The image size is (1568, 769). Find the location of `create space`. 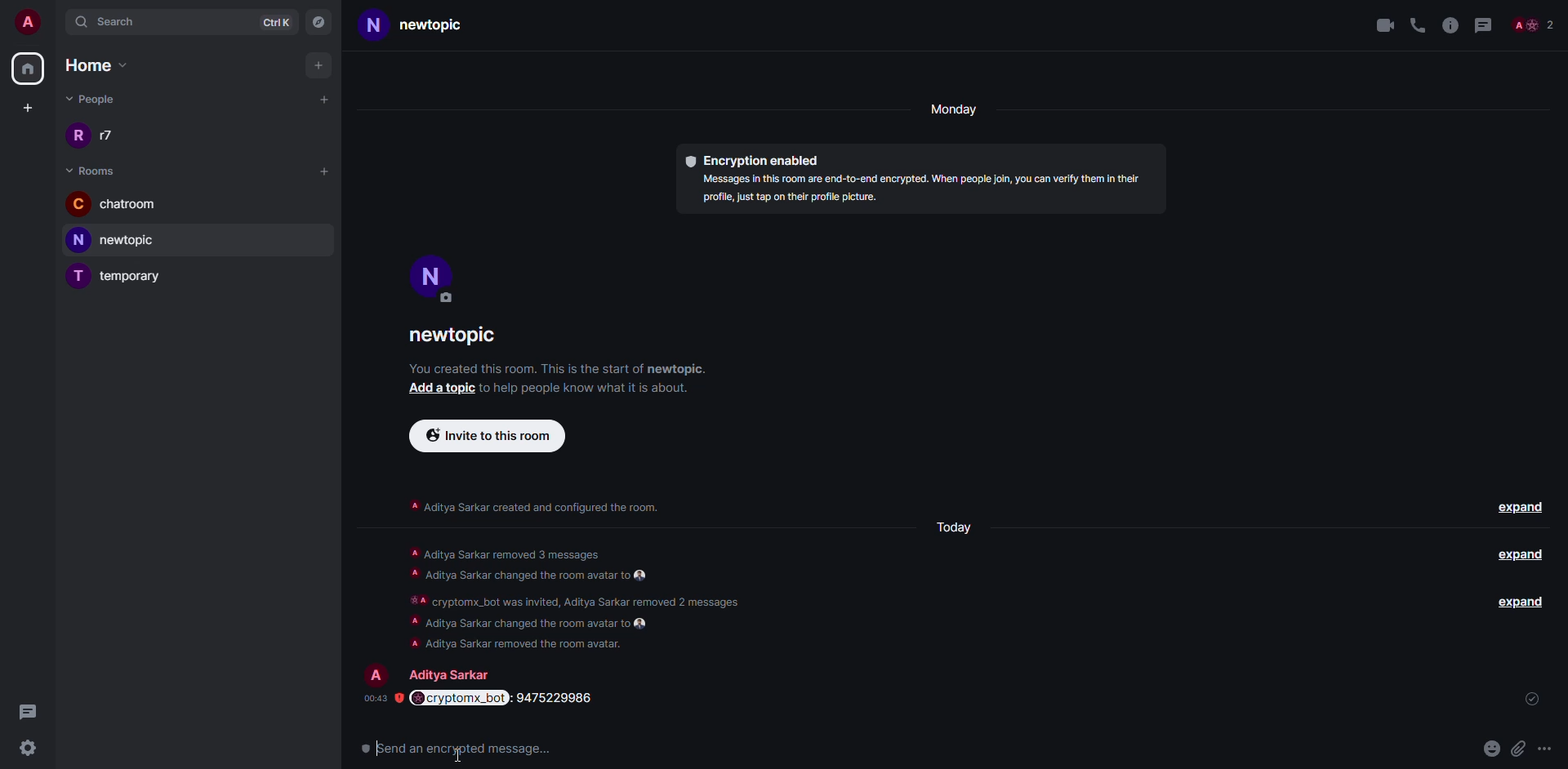

create space is located at coordinates (24, 108).